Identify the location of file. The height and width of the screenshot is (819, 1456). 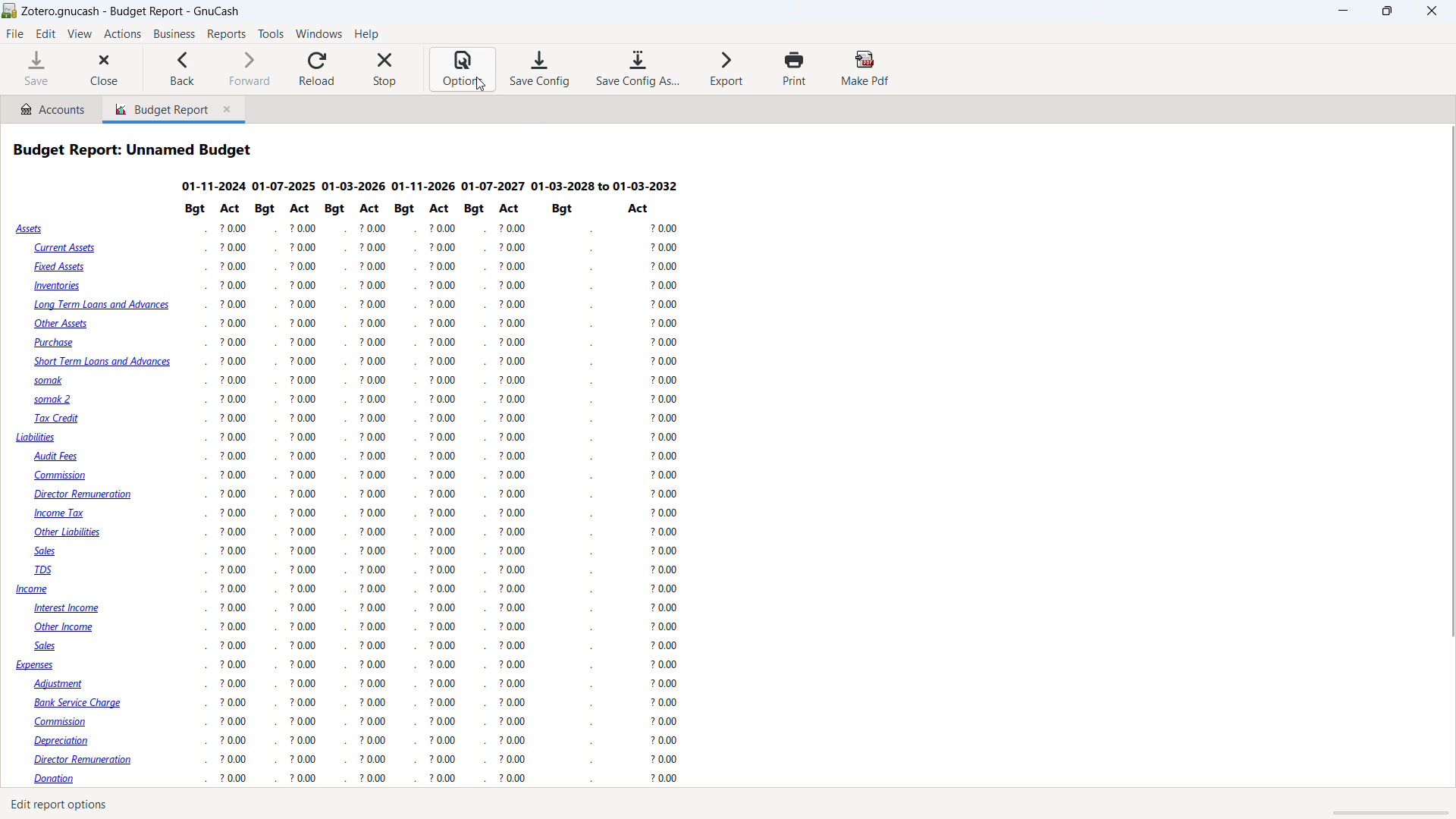
(15, 34).